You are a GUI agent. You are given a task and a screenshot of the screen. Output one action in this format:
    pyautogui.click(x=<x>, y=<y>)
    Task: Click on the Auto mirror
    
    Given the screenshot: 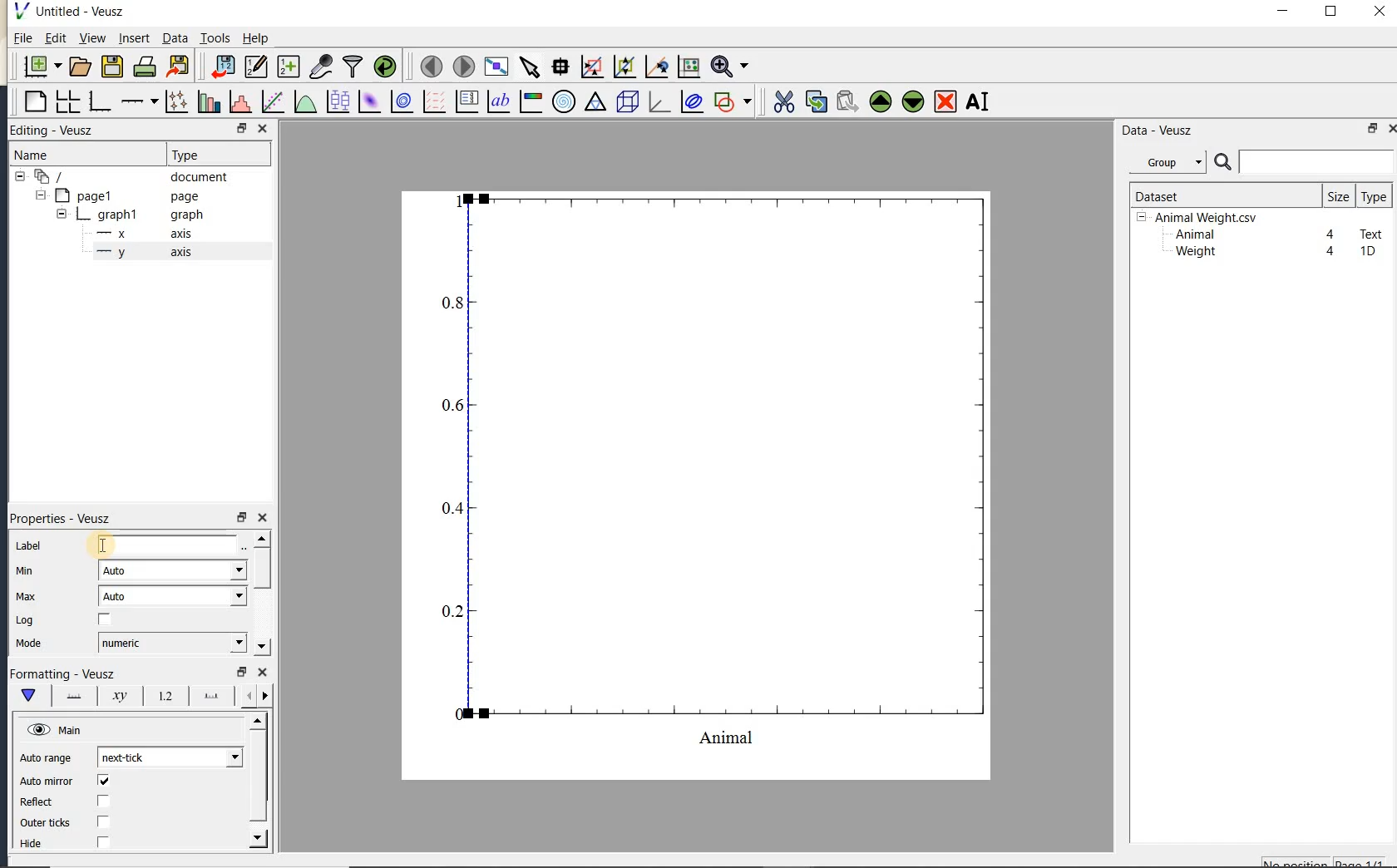 What is the action you would take?
    pyautogui.click(x=44, y=782)
    